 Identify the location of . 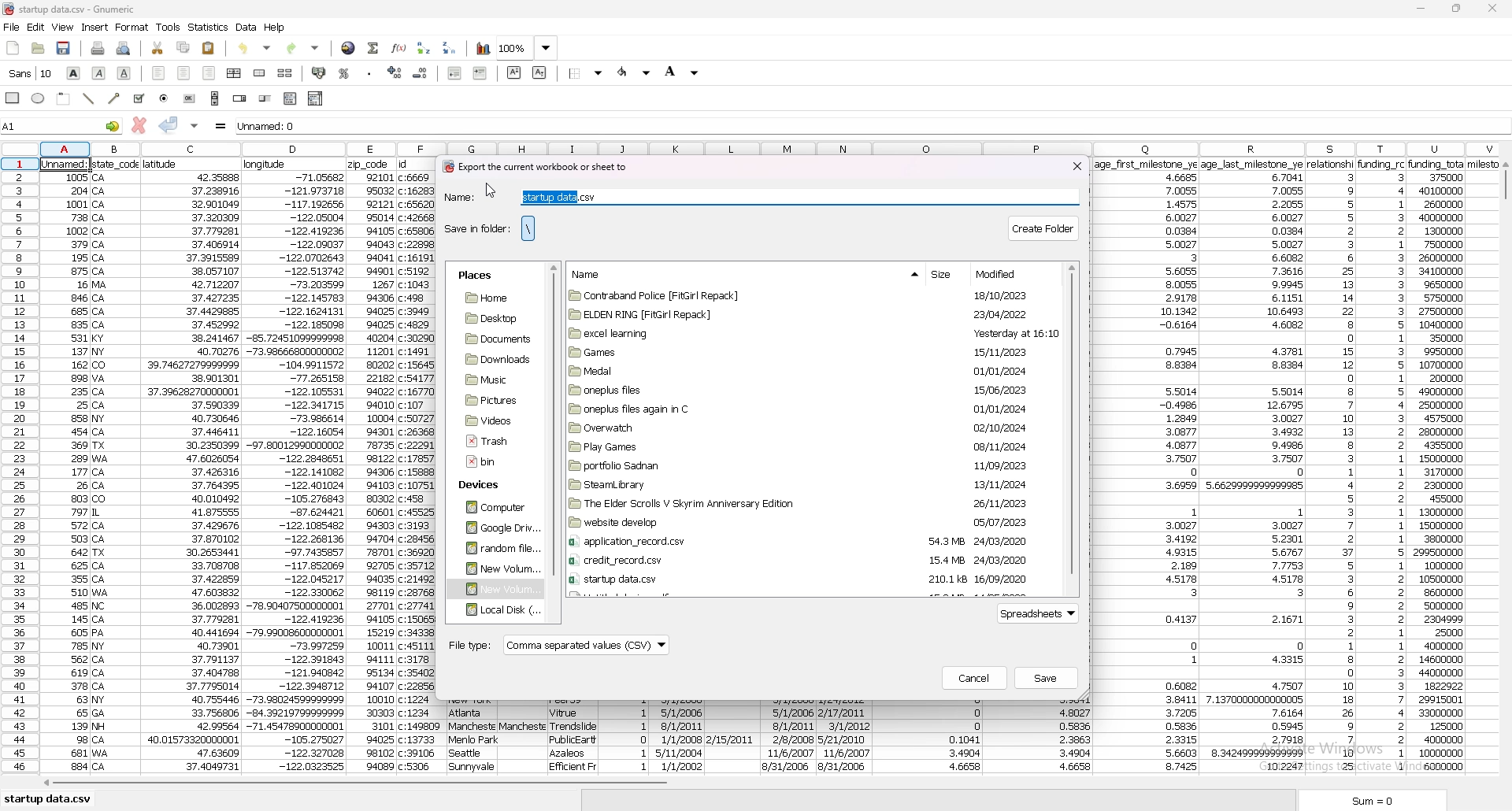
(117, 466).